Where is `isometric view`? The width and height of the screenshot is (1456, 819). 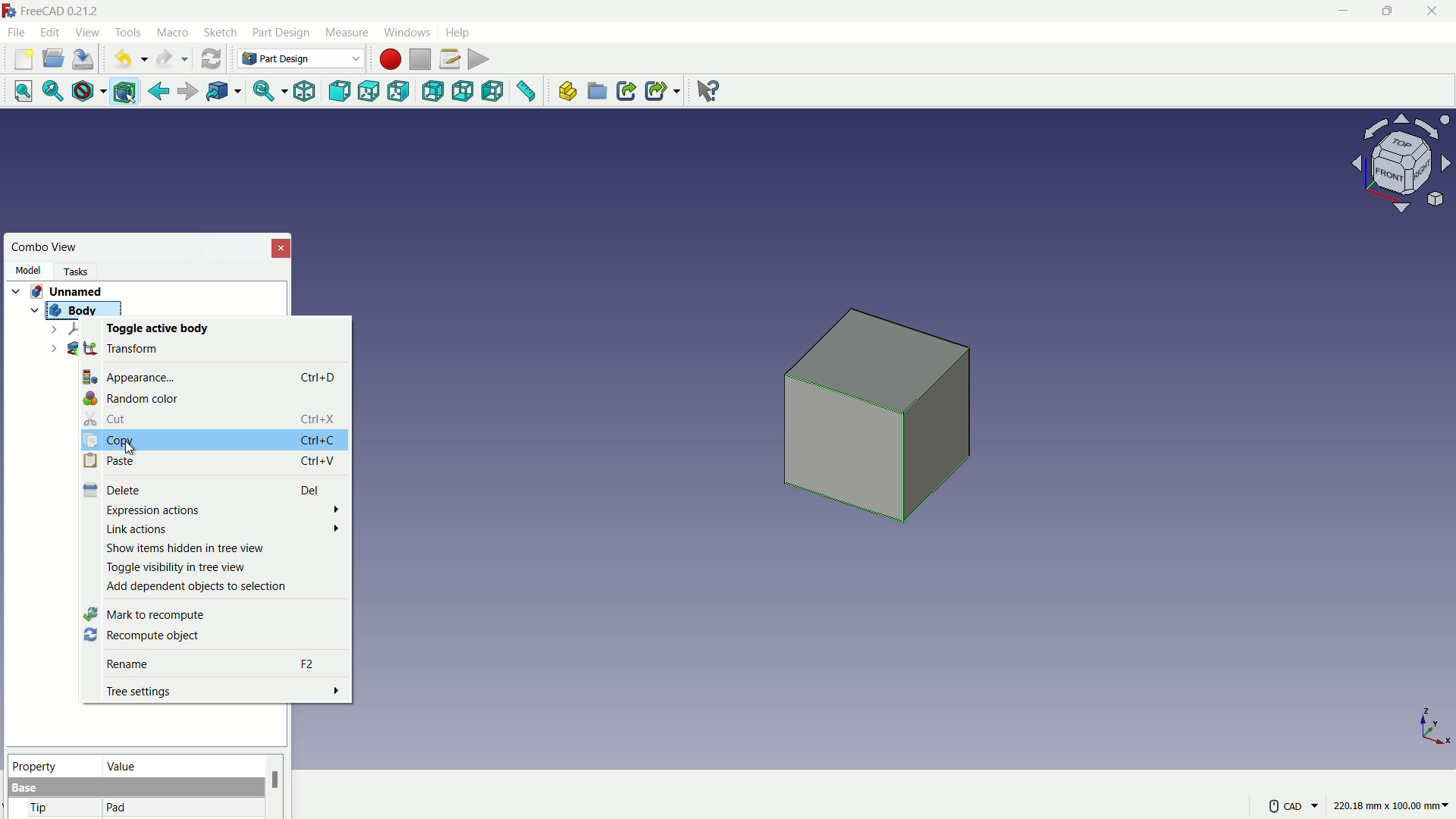
isometric view is located at coordinates (304, 93).